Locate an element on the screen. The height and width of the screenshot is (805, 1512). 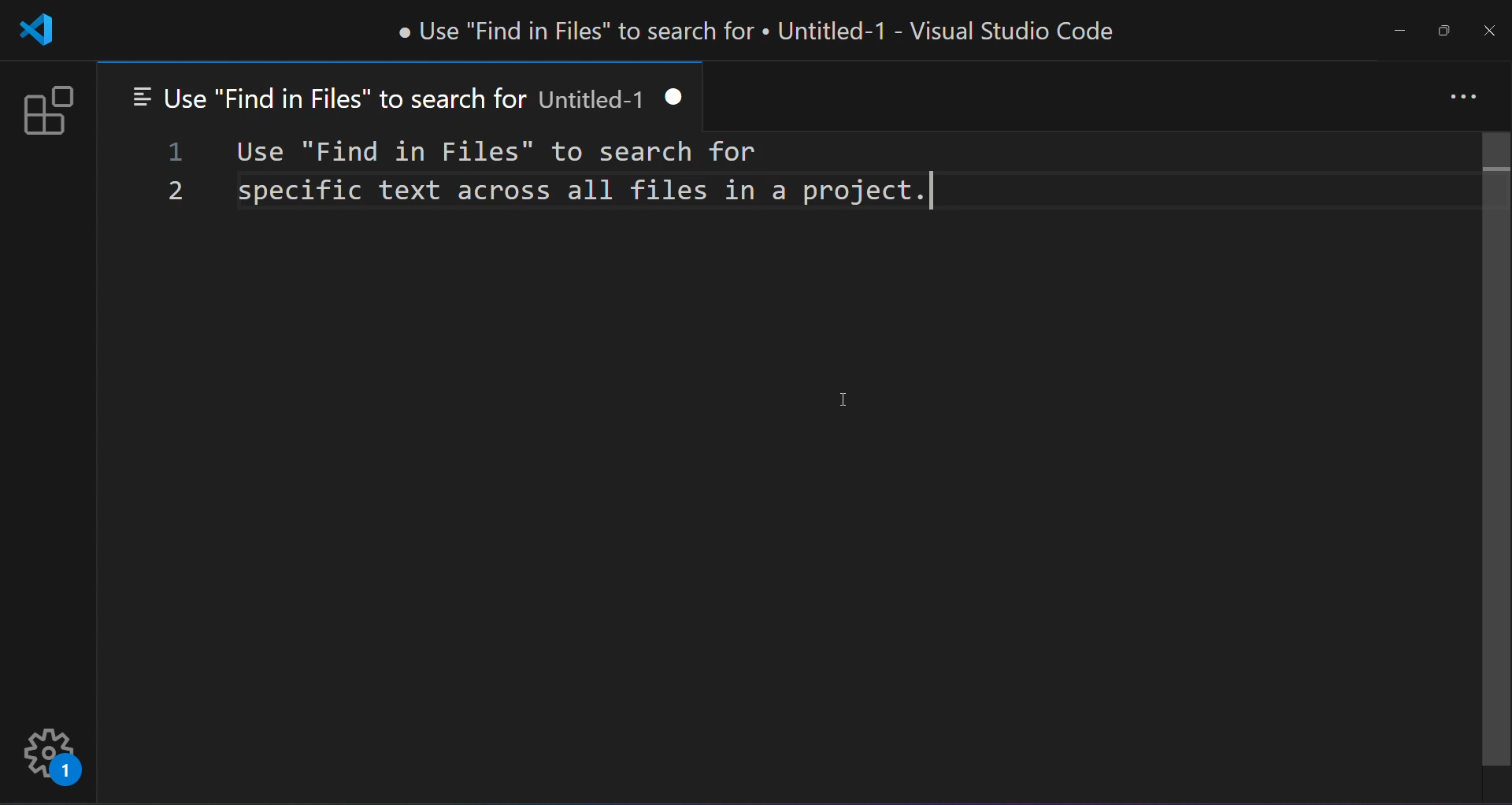
more is located at coordinates (1460, 98).